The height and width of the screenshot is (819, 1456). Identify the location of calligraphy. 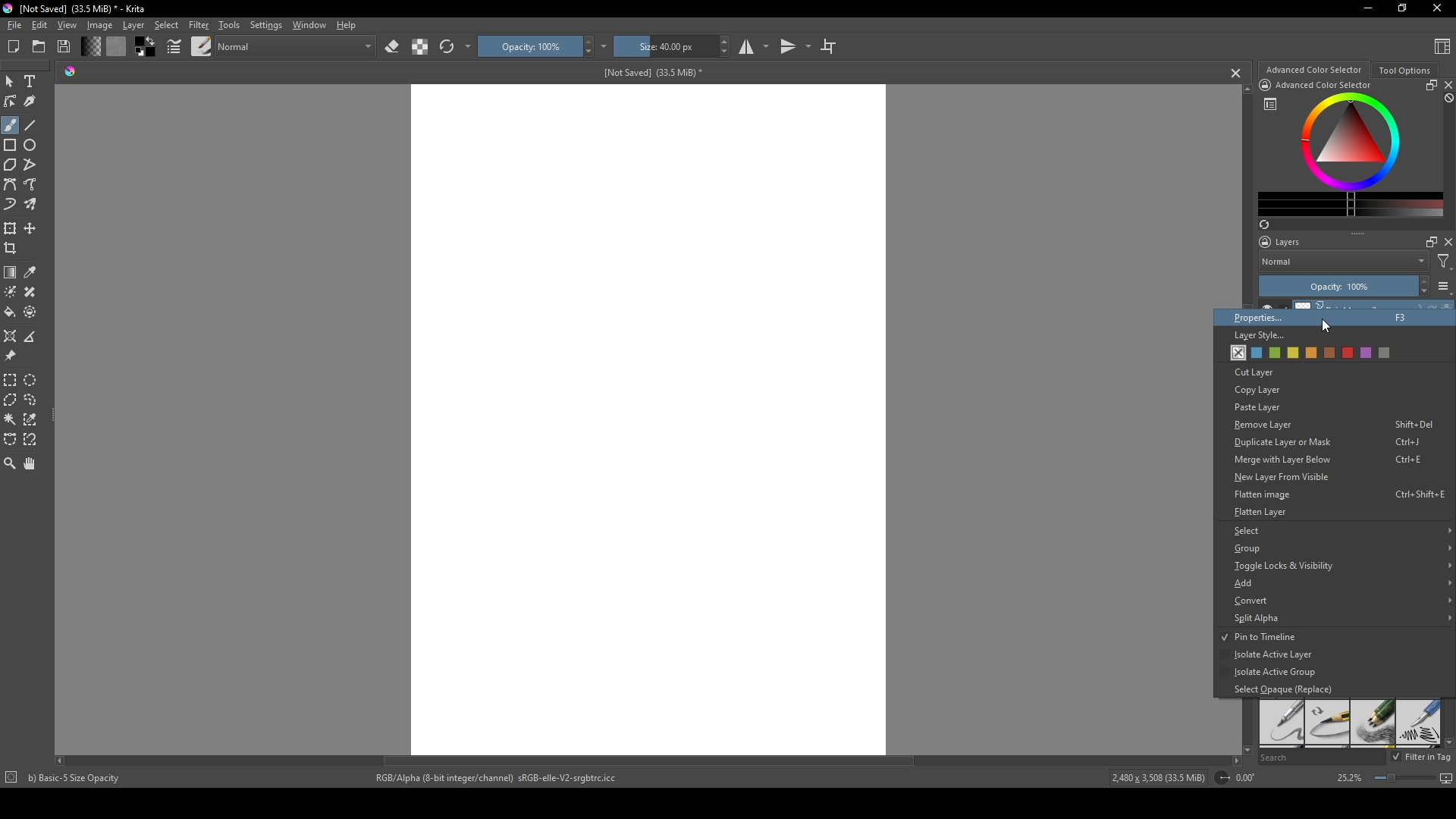
(32, 101).